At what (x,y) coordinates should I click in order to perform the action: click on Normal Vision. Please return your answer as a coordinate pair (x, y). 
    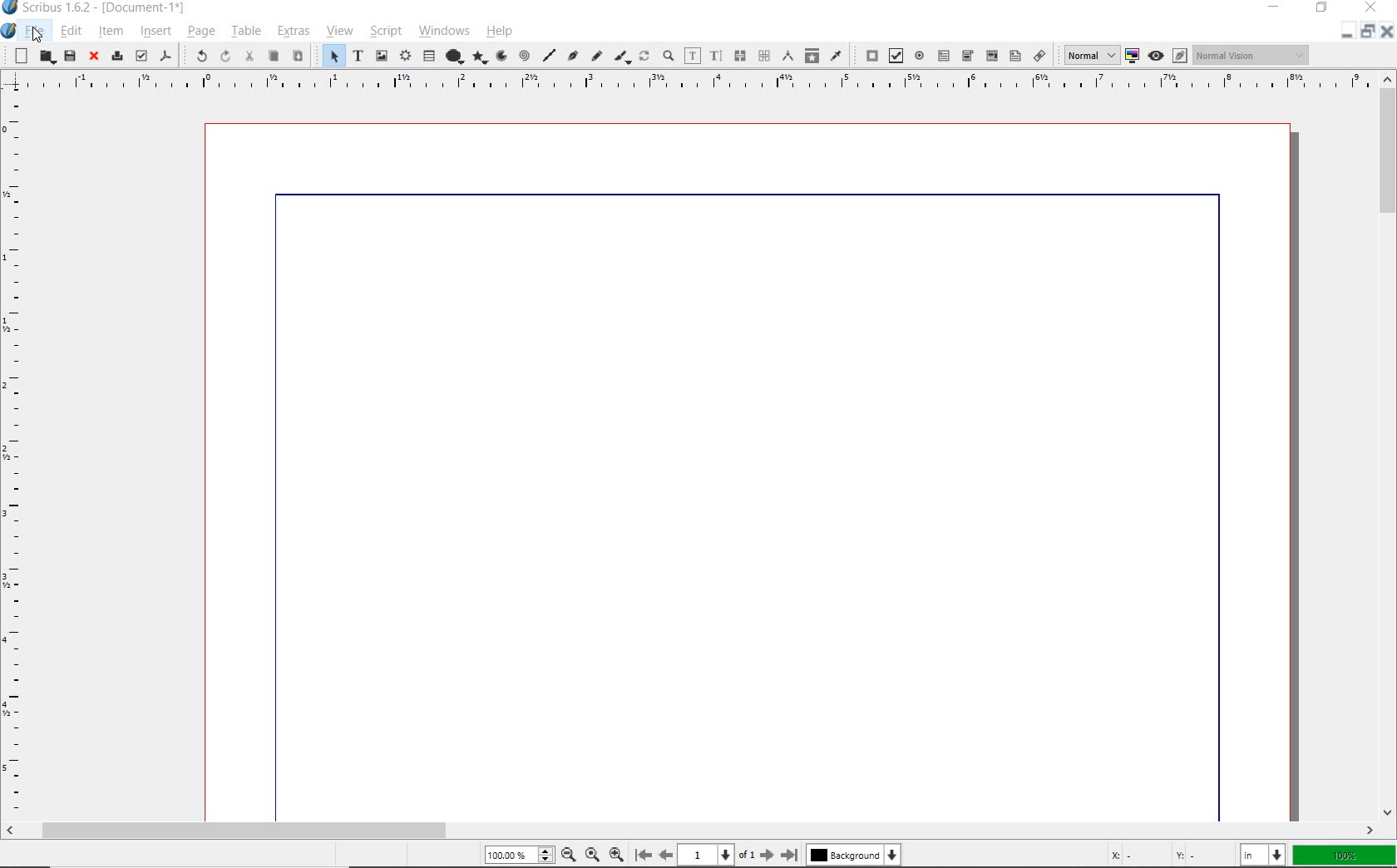
    Looking at the image, I should click on (1253, 54).